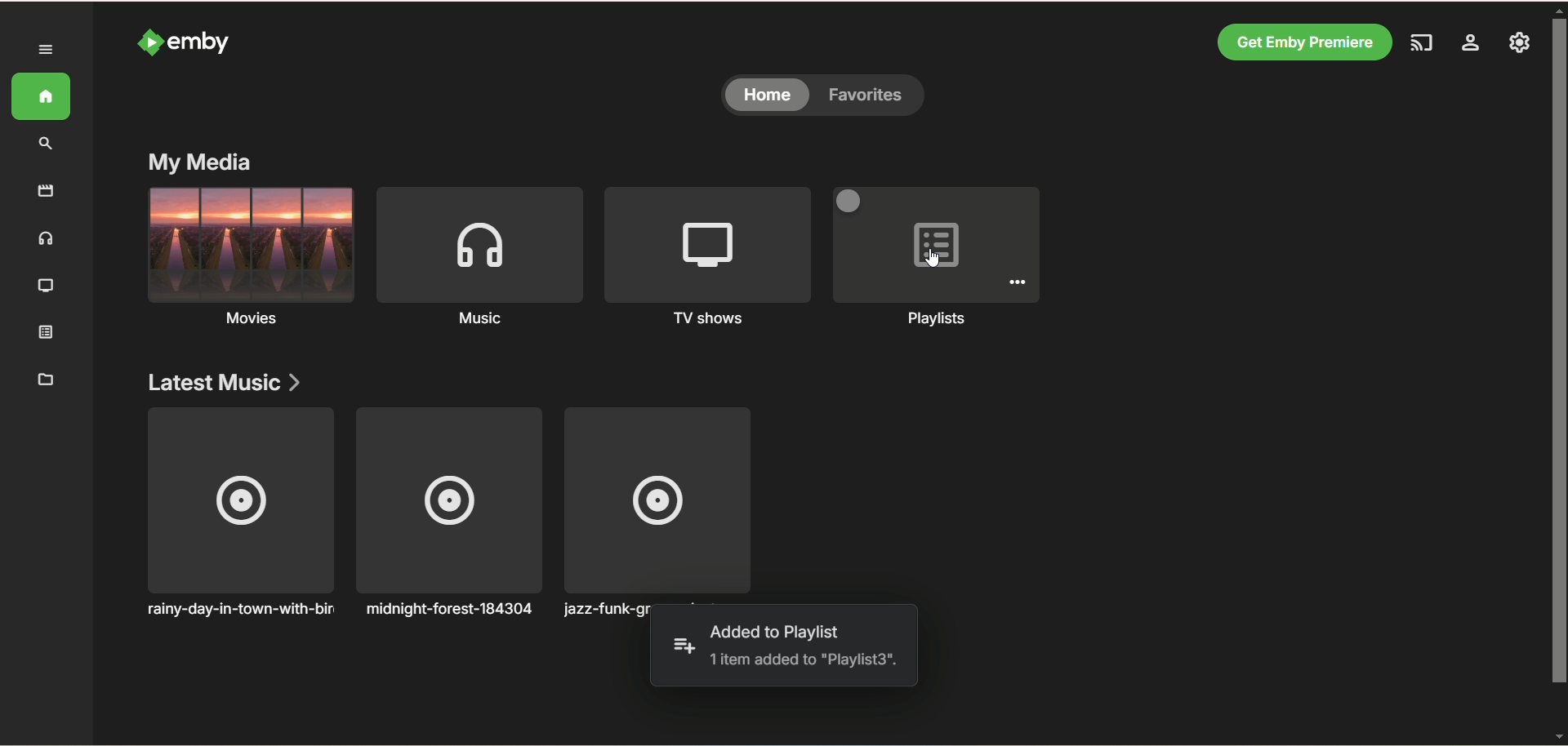 The width and height of the screenshot is (1568, 746). What do you see at coordinates (1469, 45) in the screenshot?
I see `settings` at bounding box center [1469, 45].